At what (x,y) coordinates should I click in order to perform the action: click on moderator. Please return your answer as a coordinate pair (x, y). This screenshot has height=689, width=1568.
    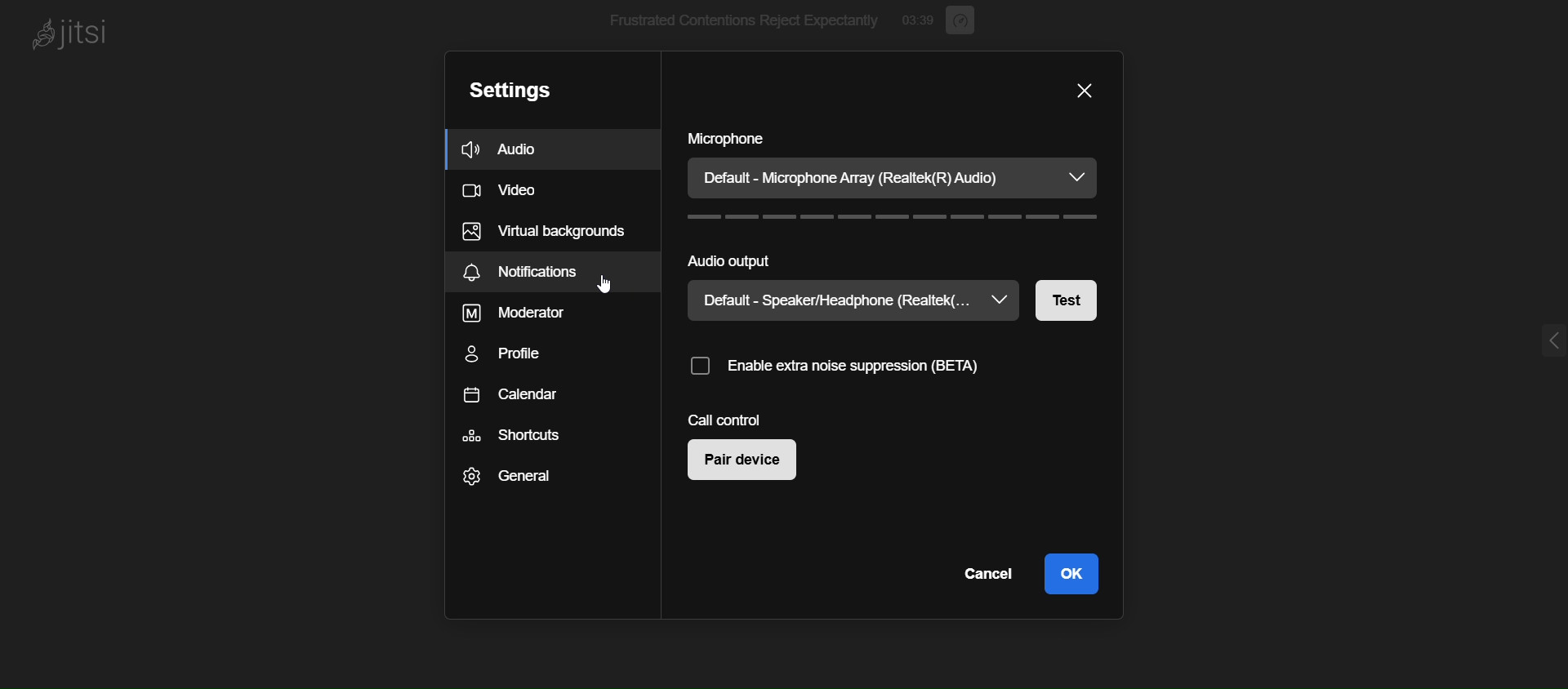
    Looking at the image, I should click on (539, 310).